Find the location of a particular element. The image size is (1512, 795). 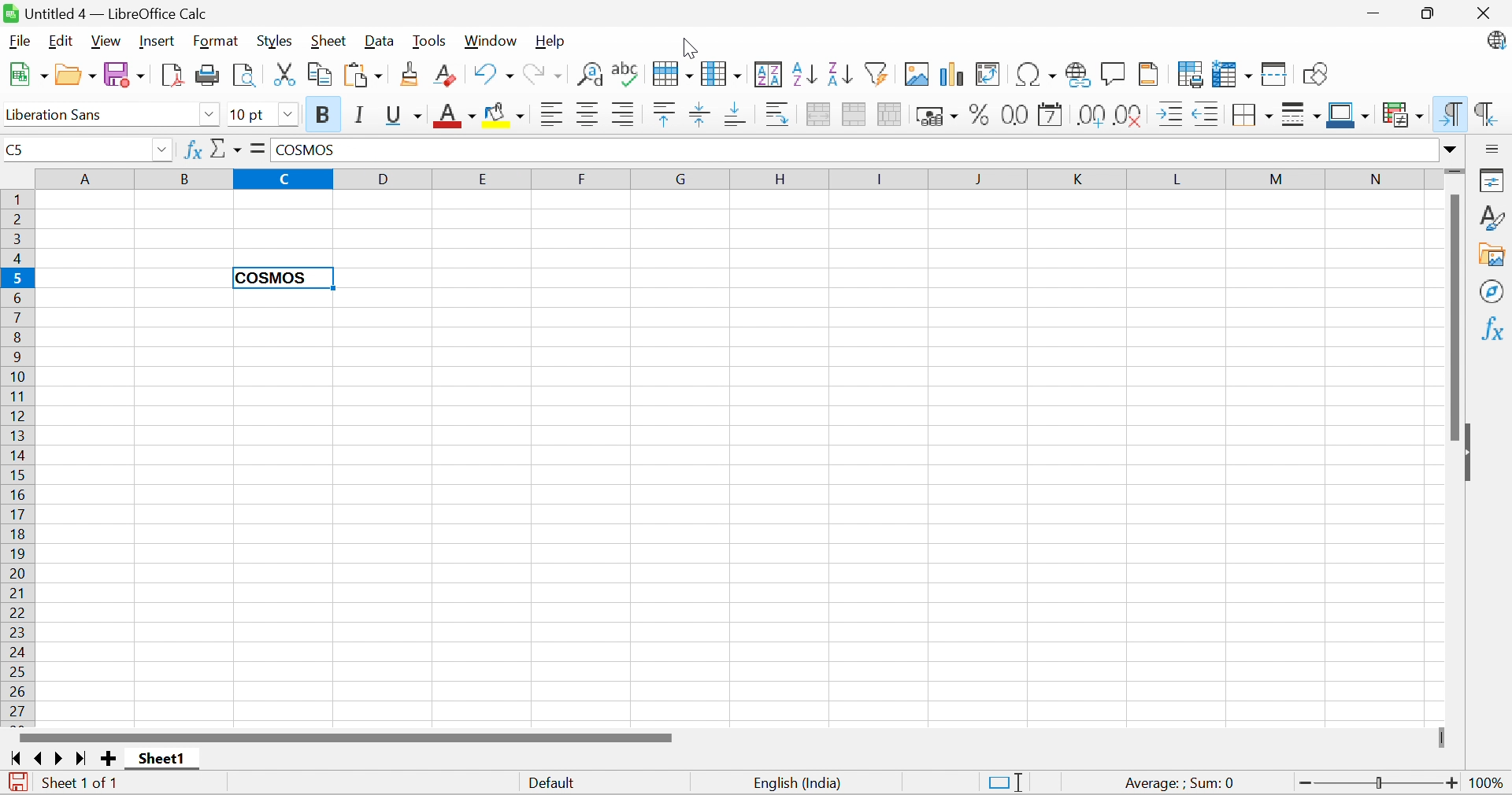

Borders is located at coordinates (1251, 117).